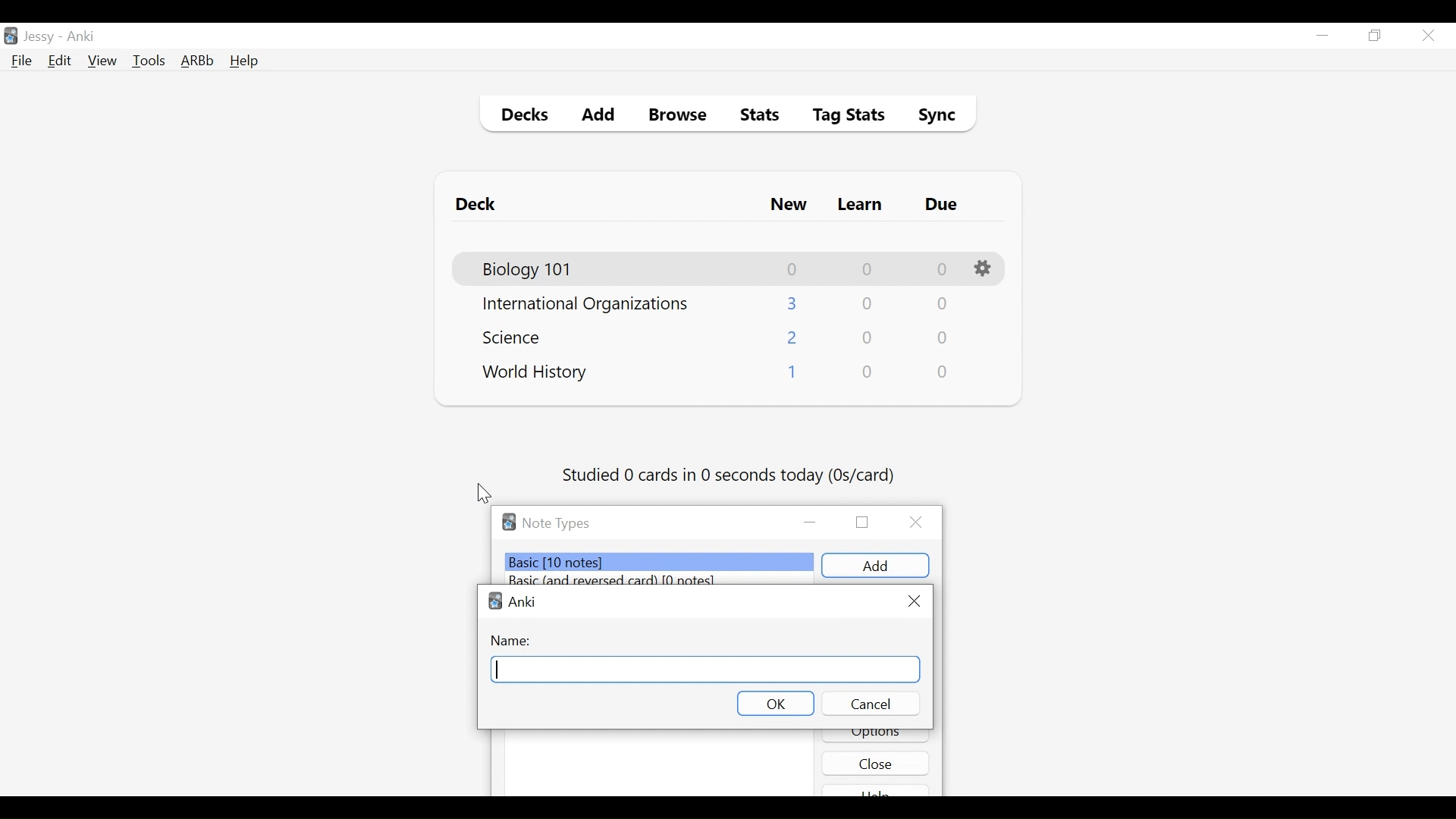 This screenshot has width=1456, height=819. I want to click on Learn Card Count, so click(866, 304).